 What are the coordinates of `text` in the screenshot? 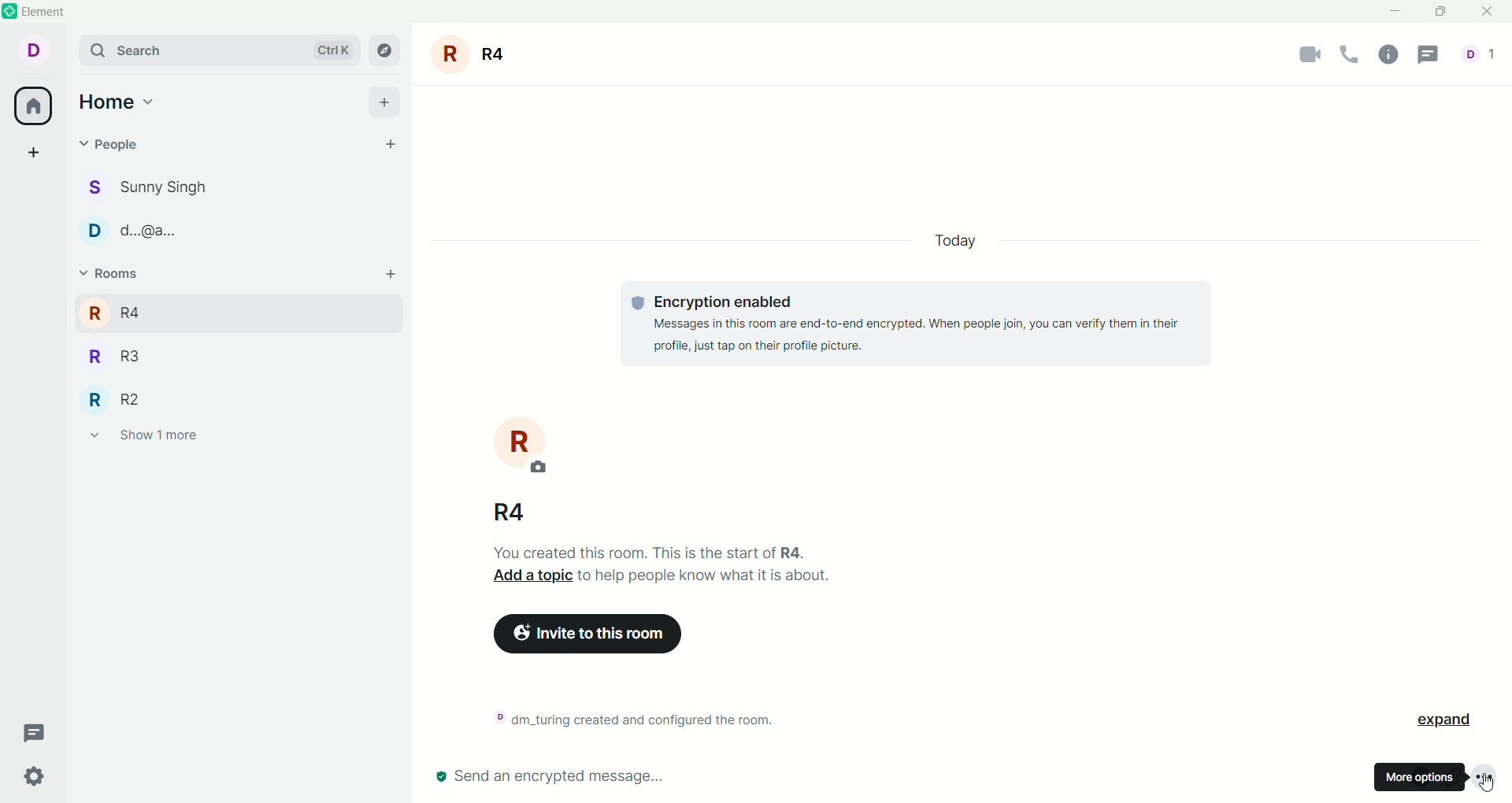 It's located at (643, 717).